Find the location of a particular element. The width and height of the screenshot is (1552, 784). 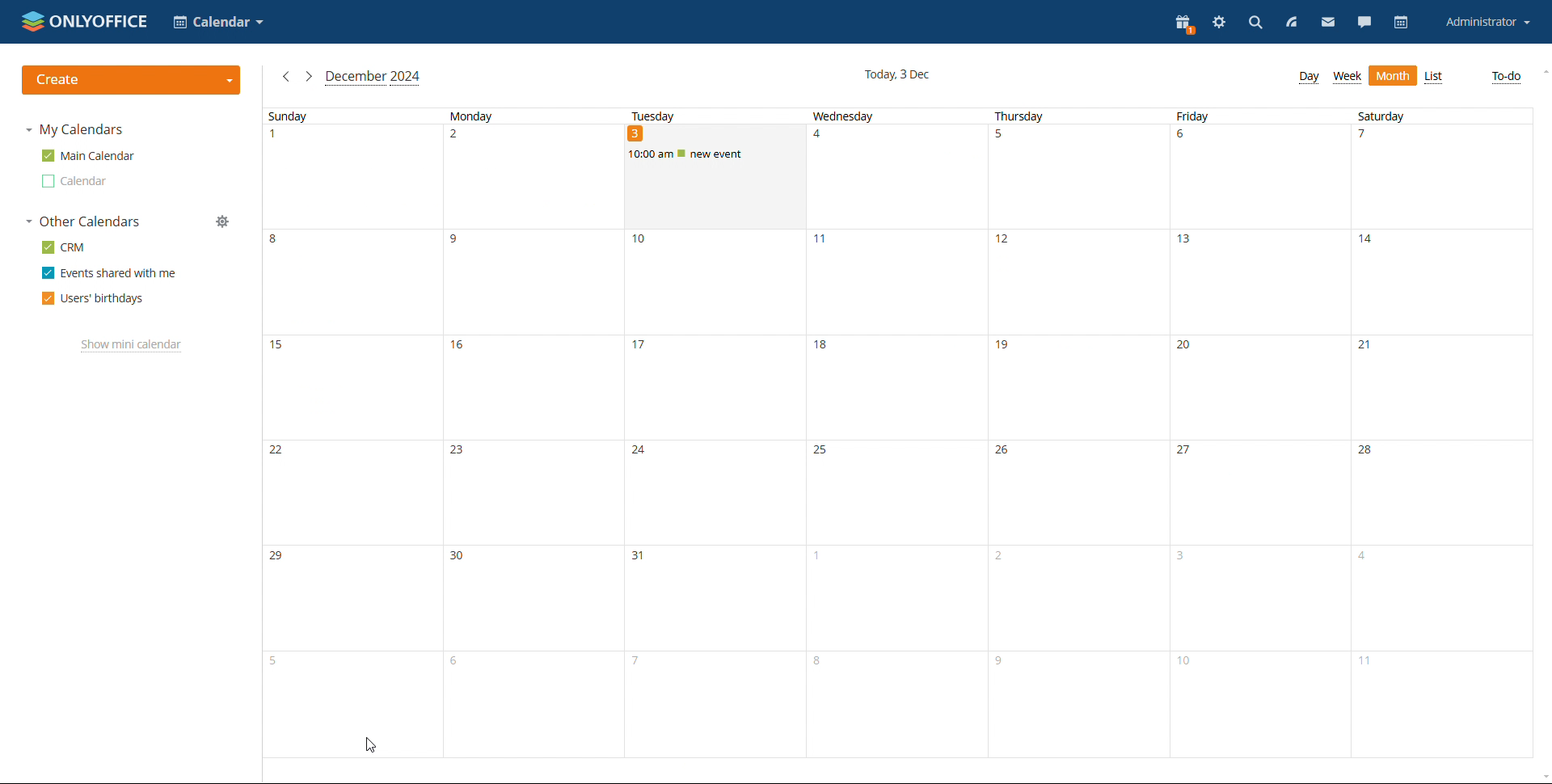

Thursday is located at coordinates (1077, 116).